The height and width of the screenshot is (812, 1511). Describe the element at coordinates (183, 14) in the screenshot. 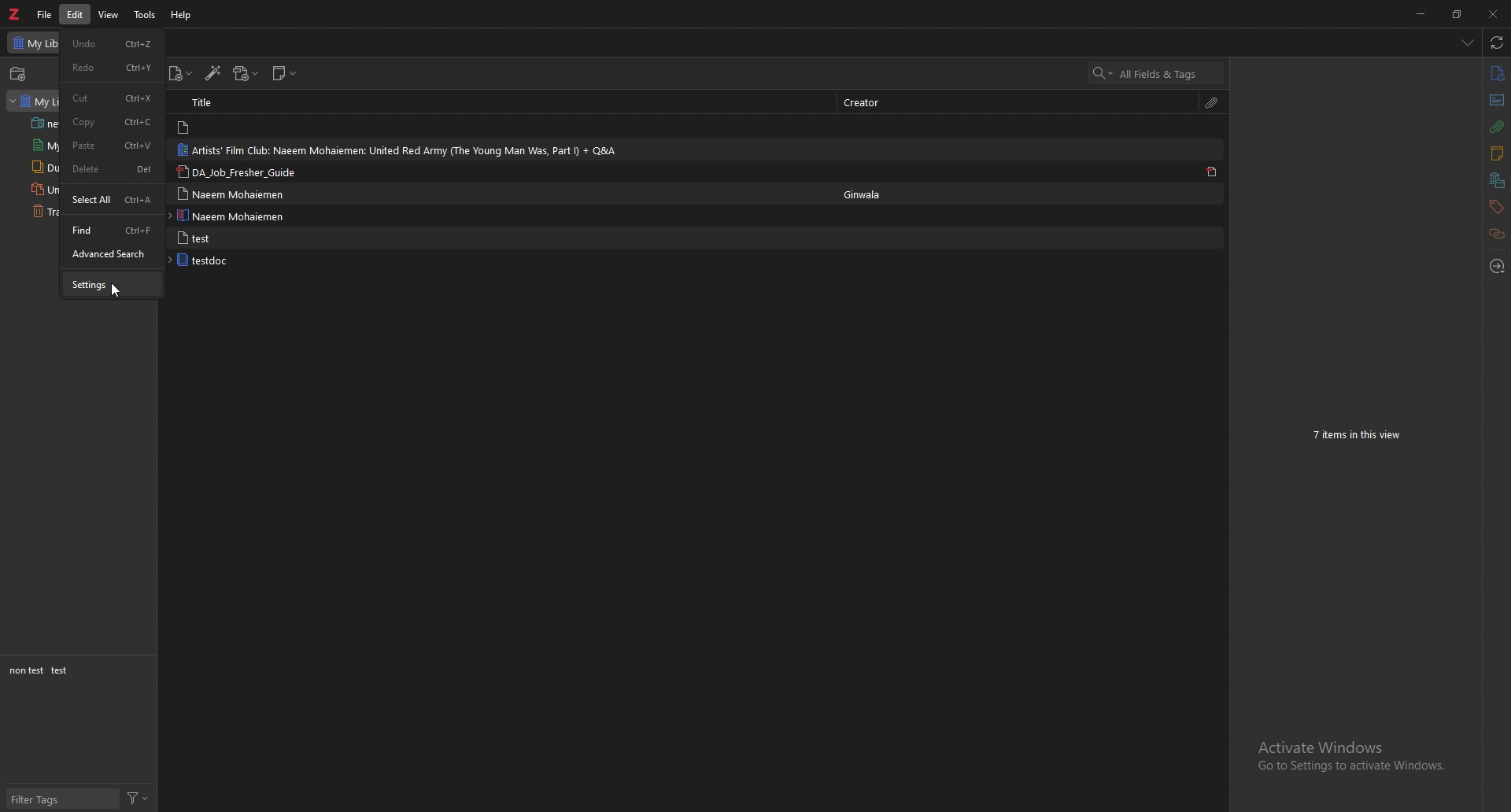

I see `help` at that location.